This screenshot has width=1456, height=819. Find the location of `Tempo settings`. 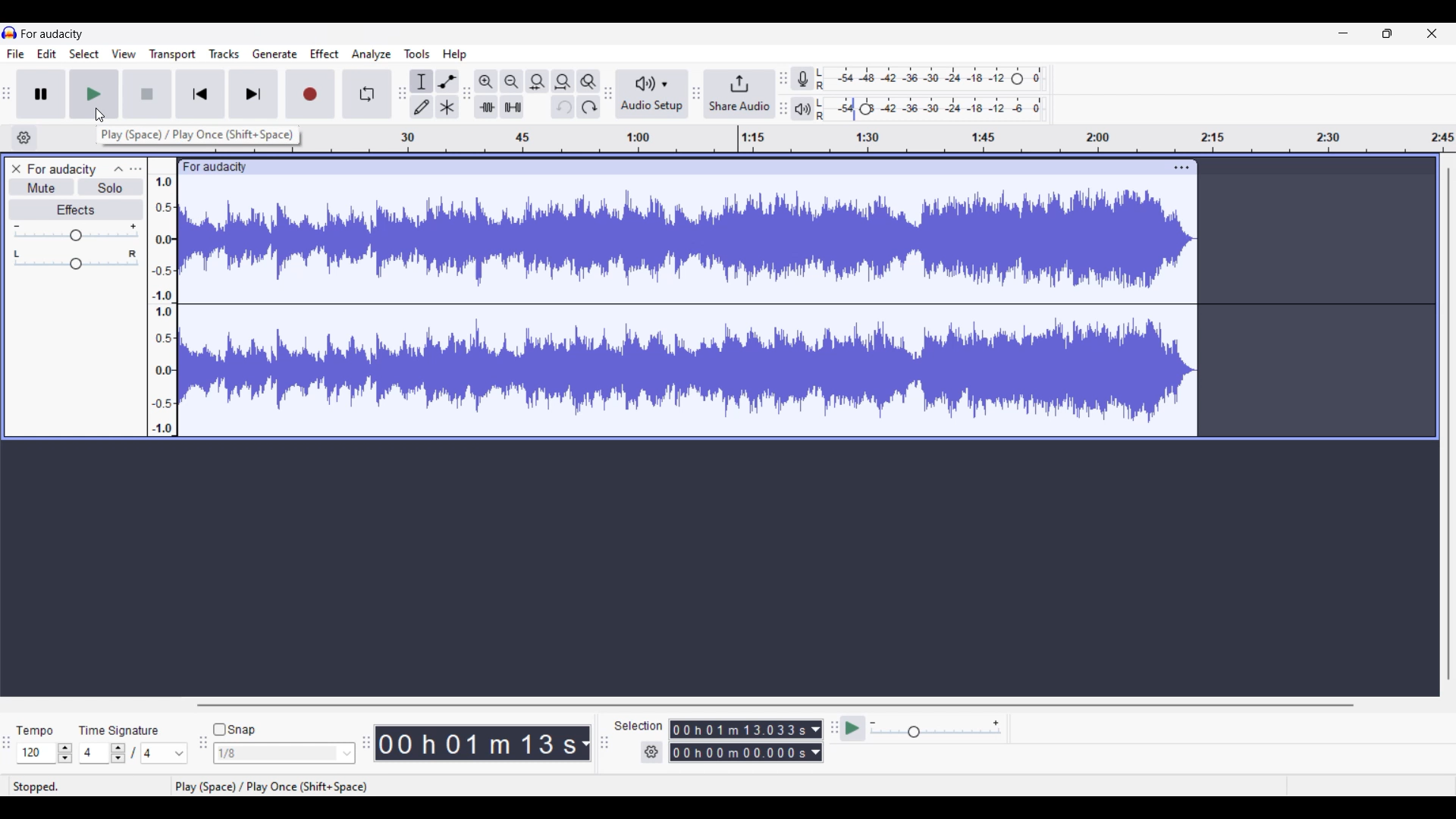

Tempo settings is located at coordinates (44, 753).